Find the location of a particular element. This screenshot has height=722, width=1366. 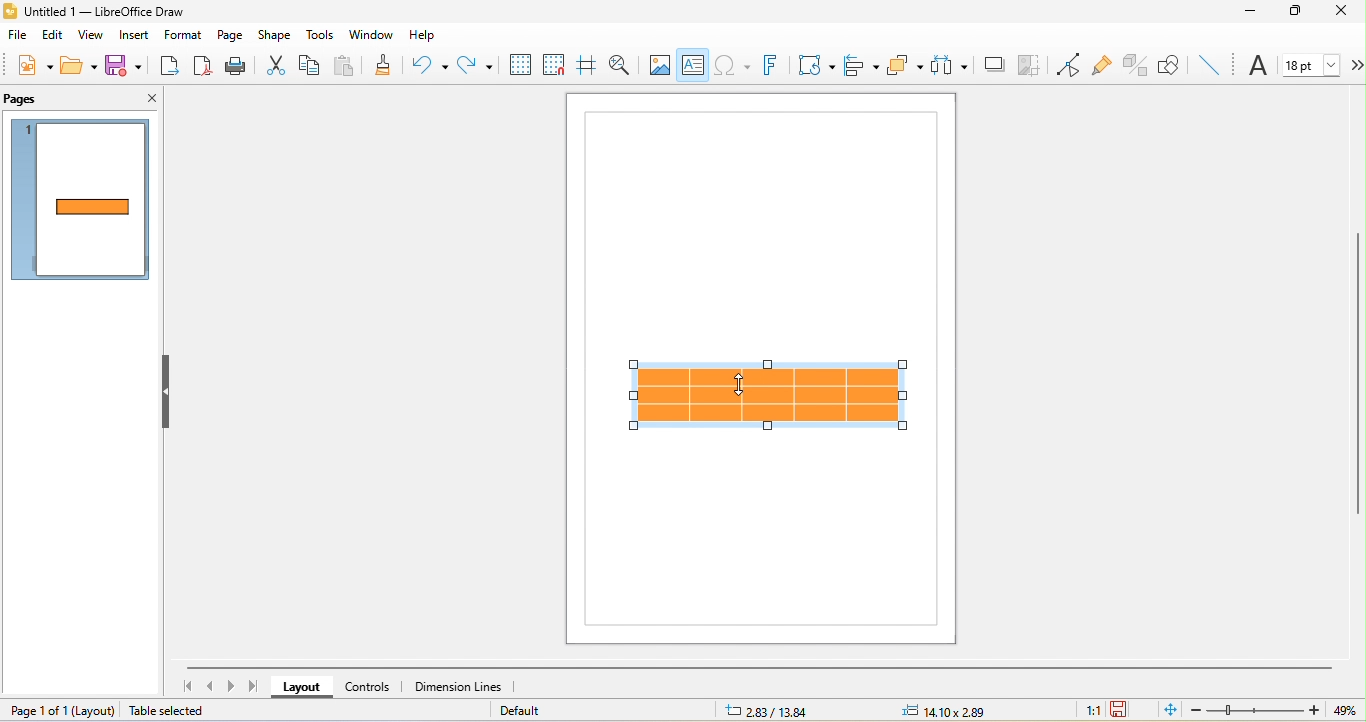

fontwork text  is located at coordinates (771, 65).